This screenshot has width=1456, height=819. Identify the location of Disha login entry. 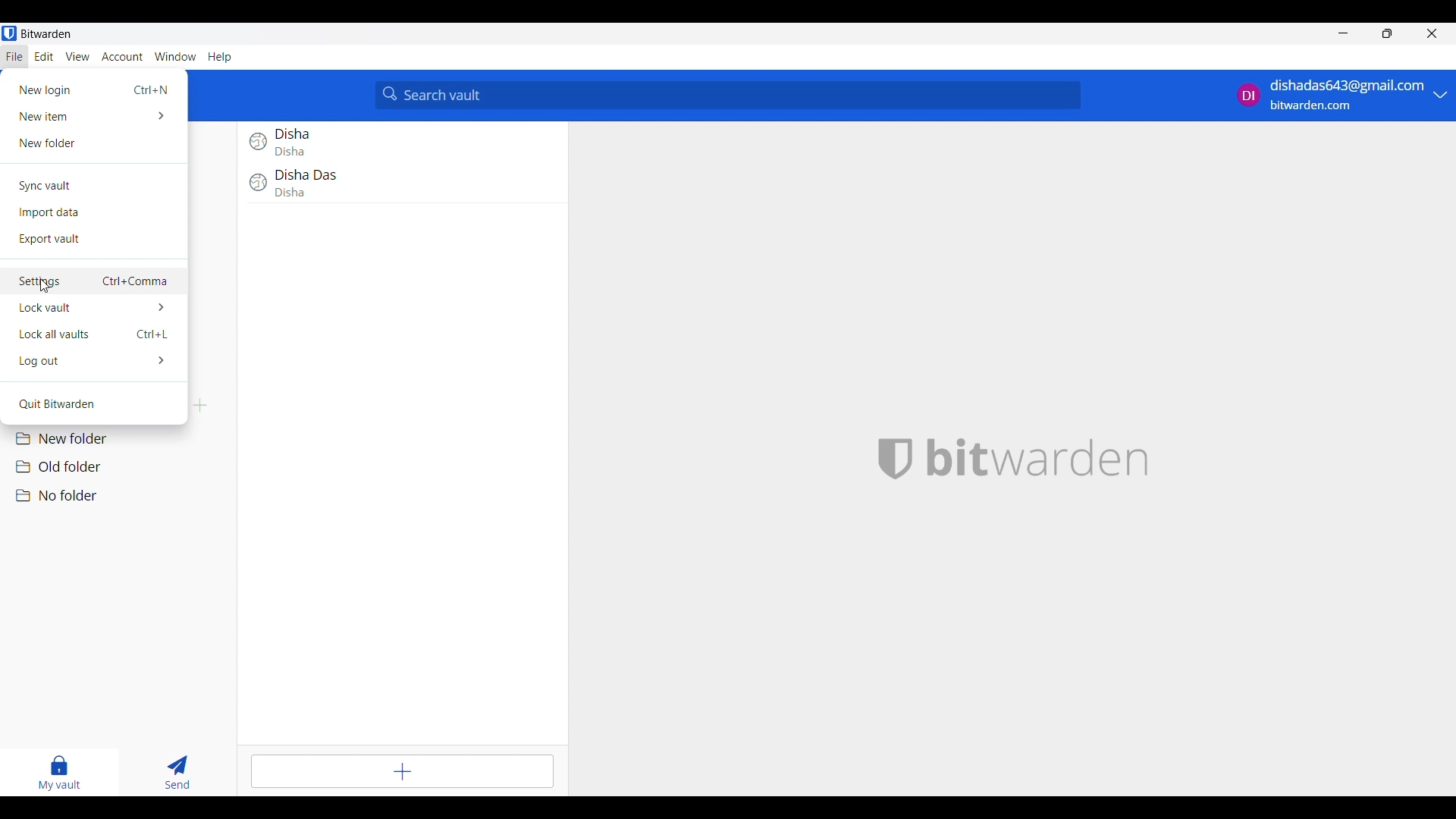
(402, 143).